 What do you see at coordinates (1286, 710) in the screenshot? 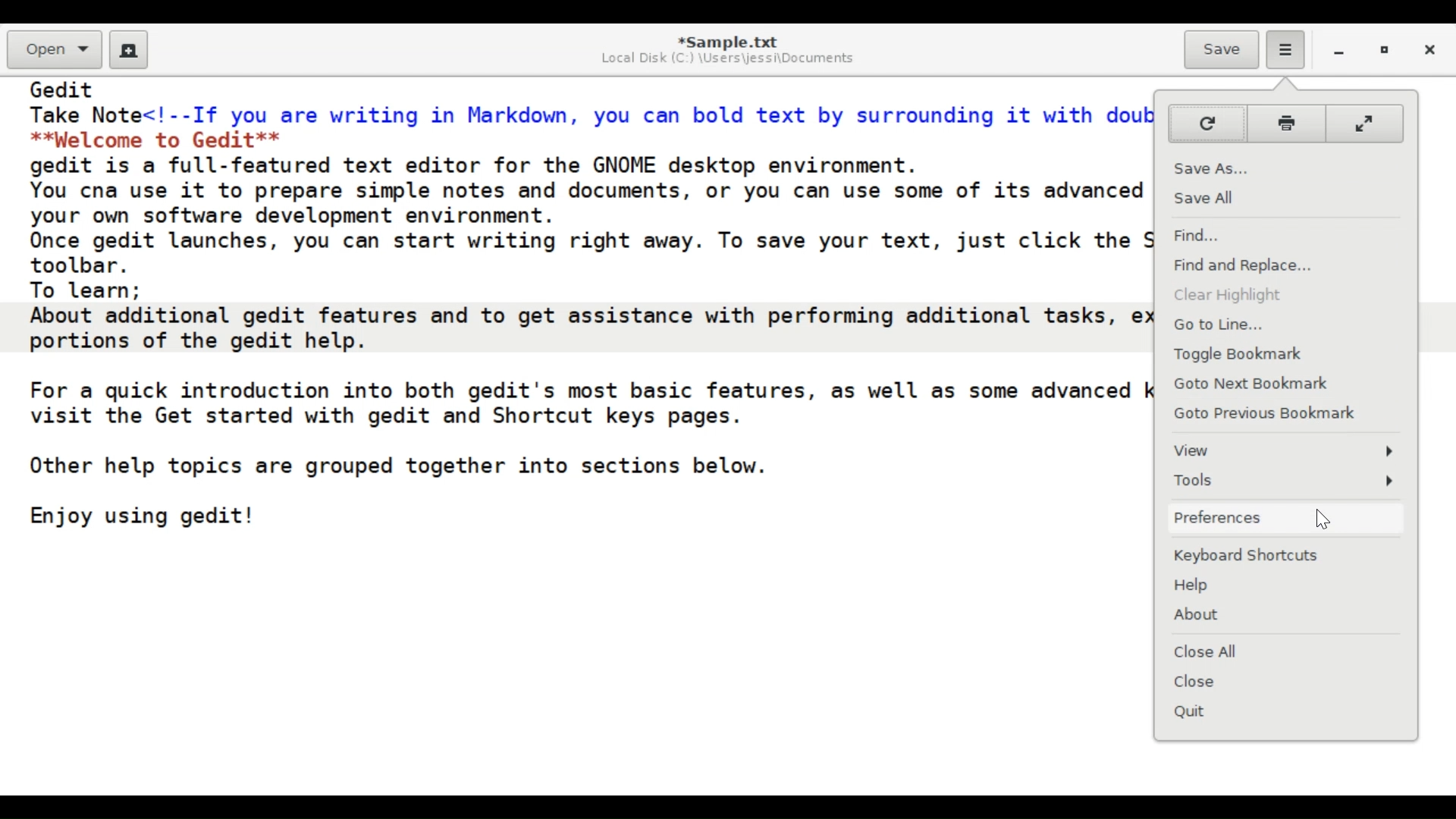
I see `Quit` at bounding box center [1286, 710].